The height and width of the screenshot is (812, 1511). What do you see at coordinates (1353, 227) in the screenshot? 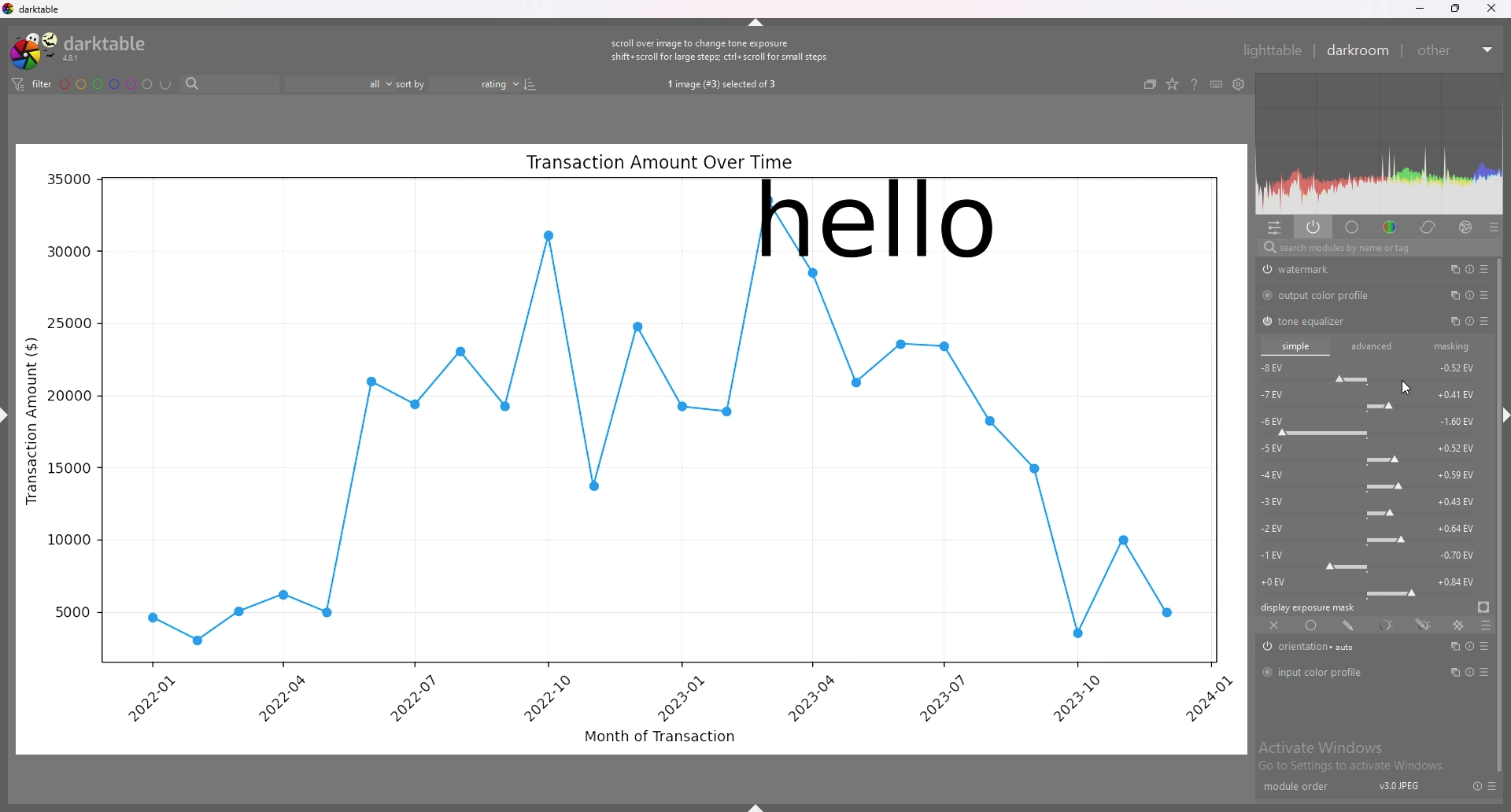
I see `base` at bounding box center [1353, 227].